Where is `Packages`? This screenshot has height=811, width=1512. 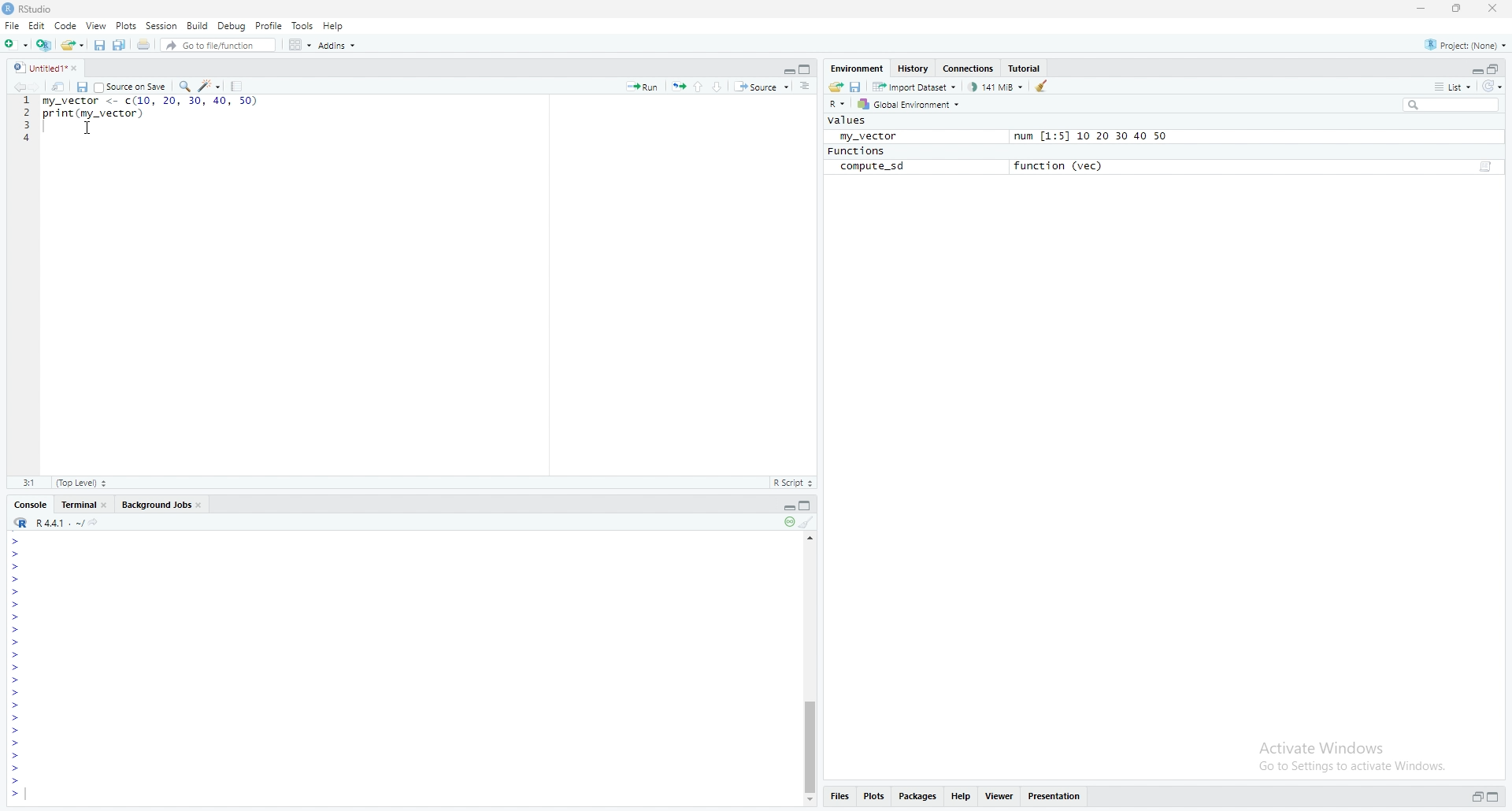
Packages is located at coordinates (918, 797).